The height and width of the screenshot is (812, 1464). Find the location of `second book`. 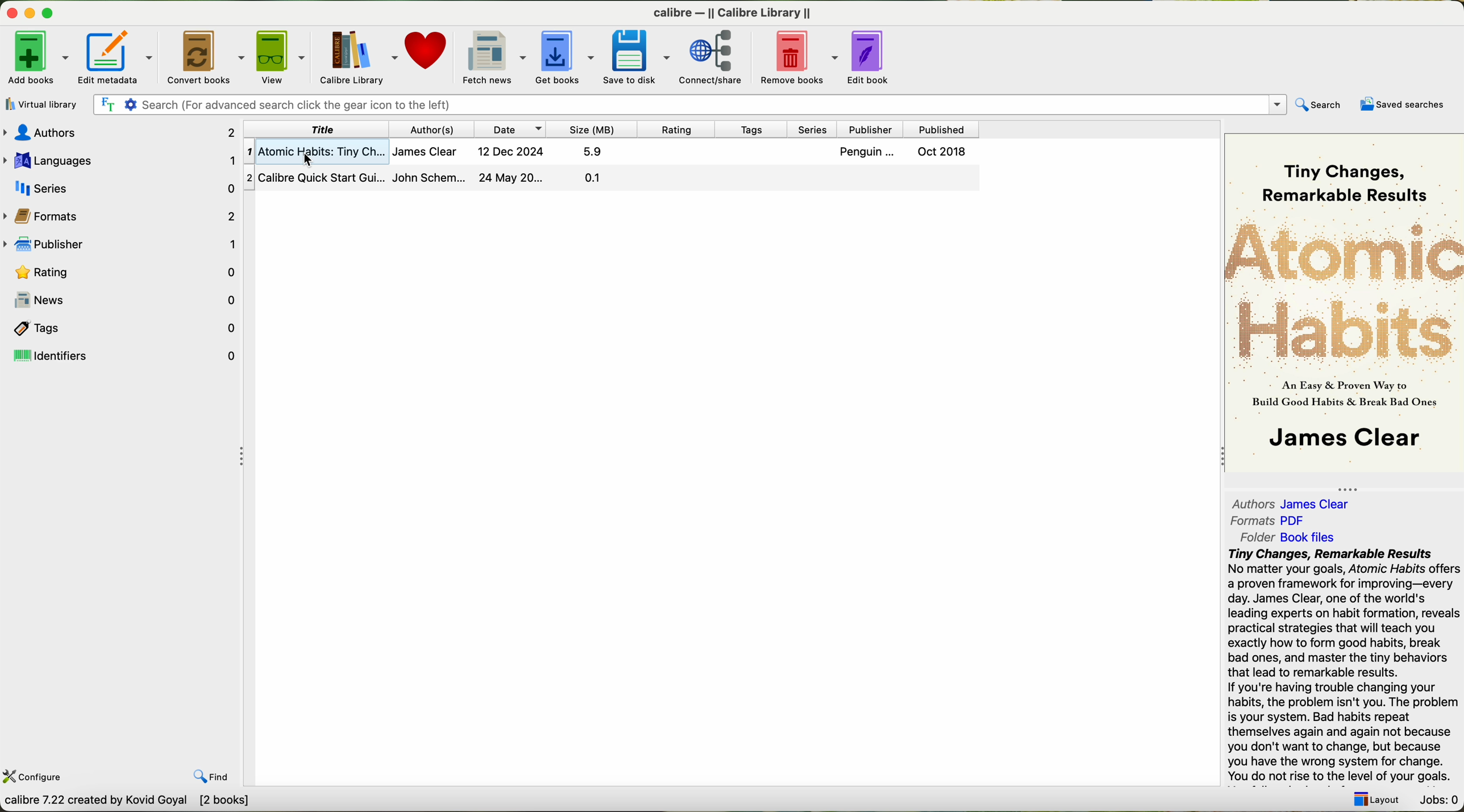

second book is located at coordinates (610, 180).